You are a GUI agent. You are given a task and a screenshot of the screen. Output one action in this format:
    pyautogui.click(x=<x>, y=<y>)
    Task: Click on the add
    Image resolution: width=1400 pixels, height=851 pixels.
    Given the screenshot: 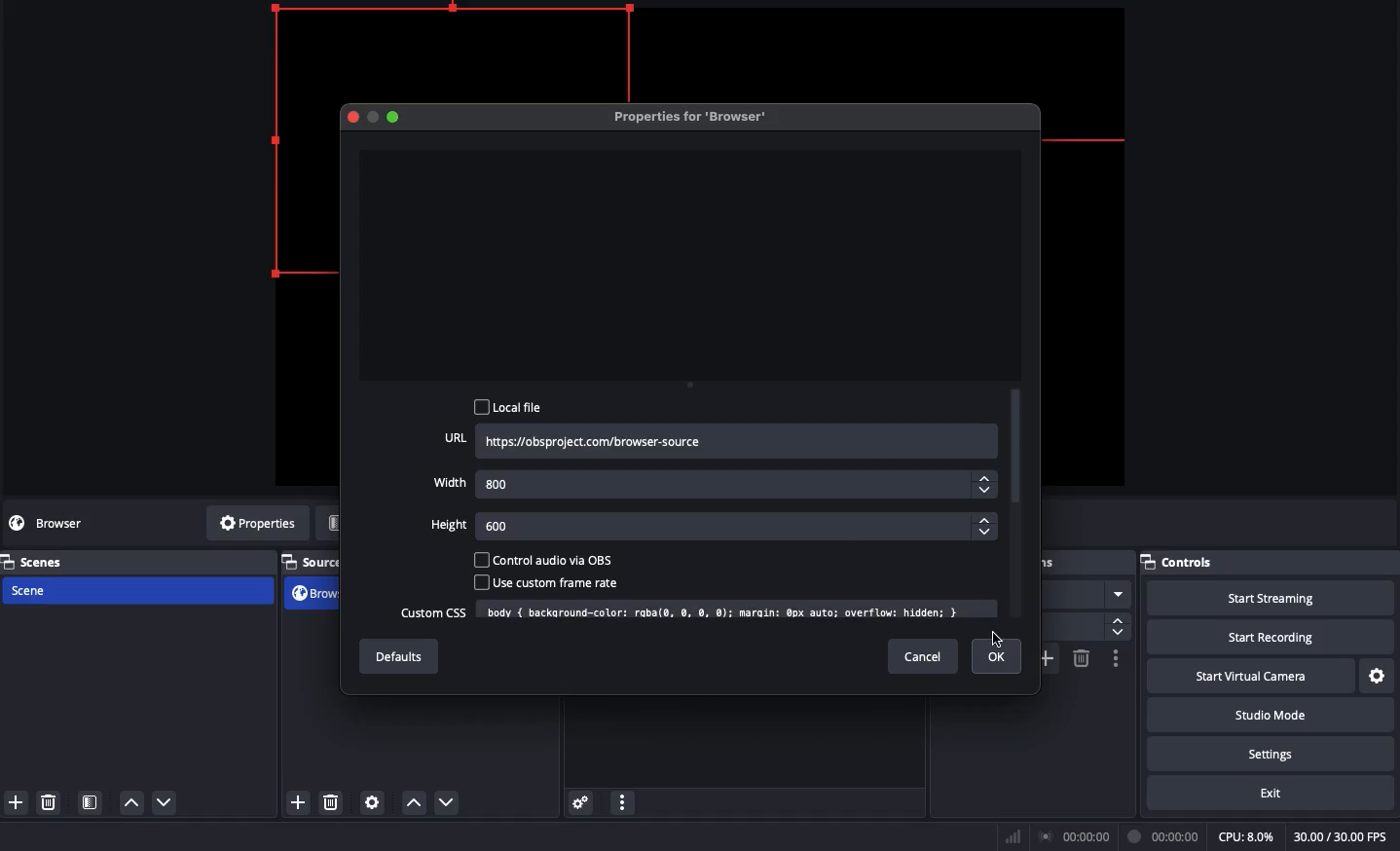 What is the action you would take?
    pyautogui.click(x=298, y=802)
    